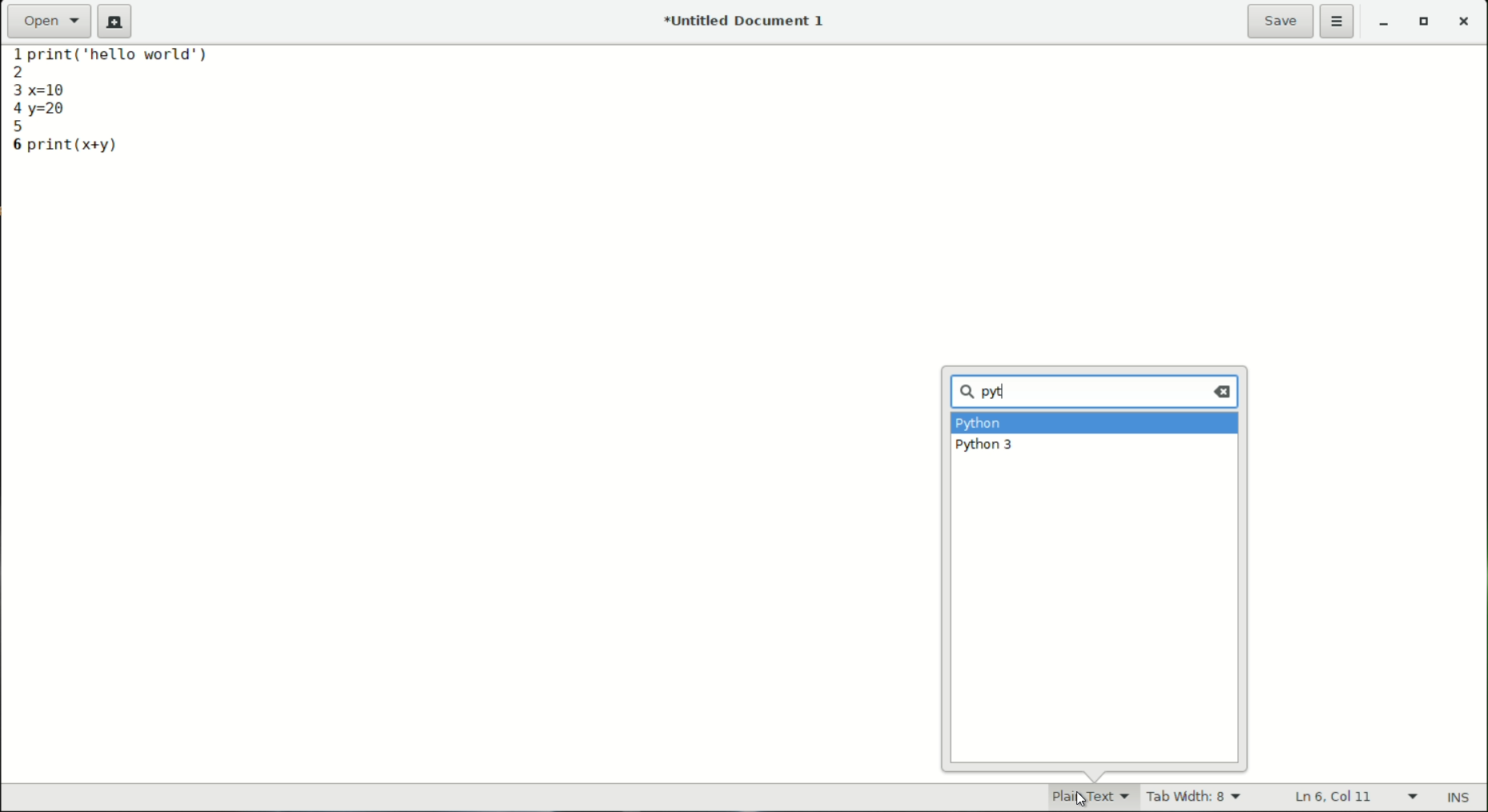 This screenshot has width=1488, height=812. What do you see at coordinates (1461, 798) in the screenshot?
I see `ins` at bounding box center [1461, 798].